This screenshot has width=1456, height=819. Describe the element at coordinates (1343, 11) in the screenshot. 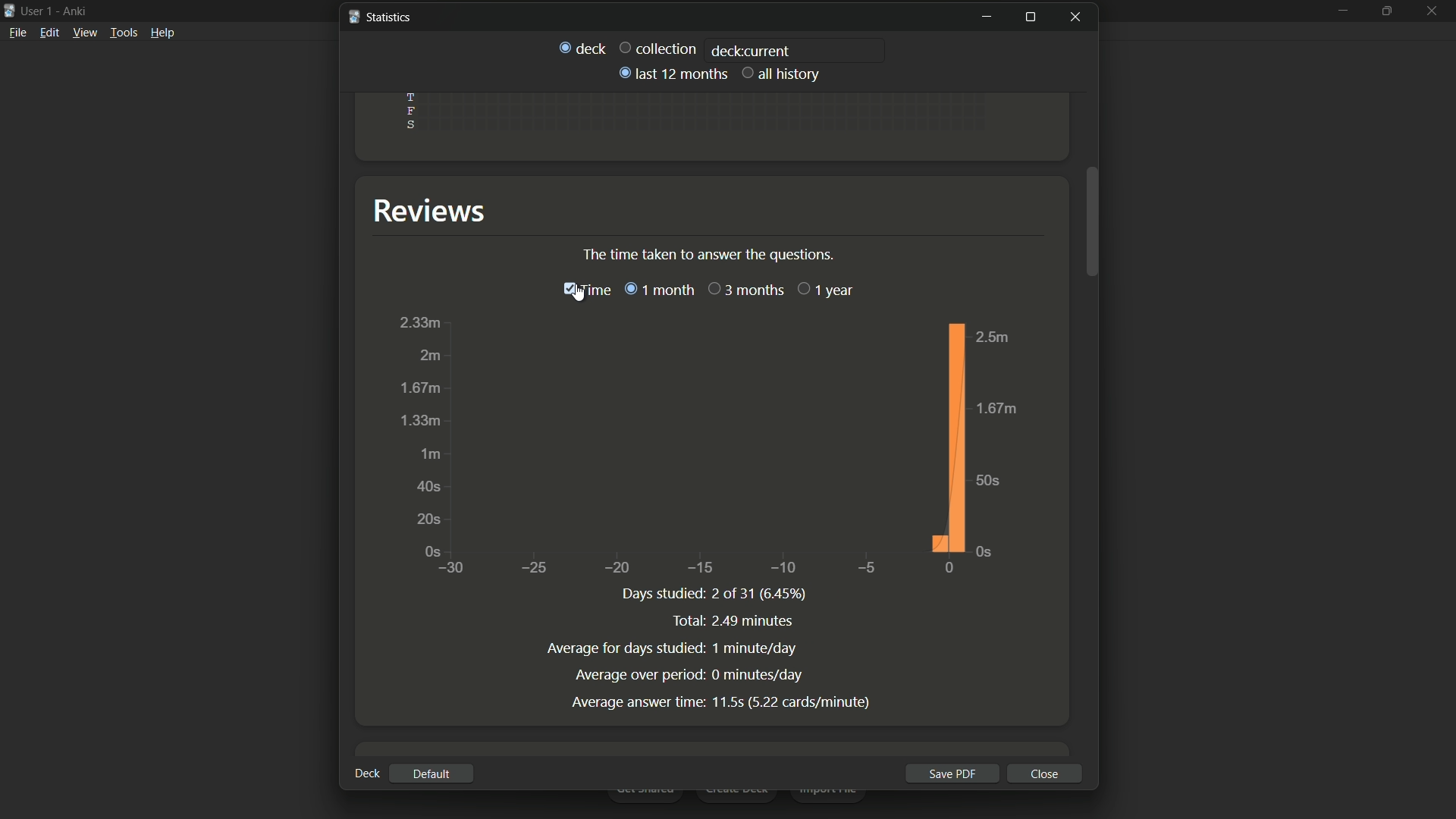

I see `minimize` at that location.